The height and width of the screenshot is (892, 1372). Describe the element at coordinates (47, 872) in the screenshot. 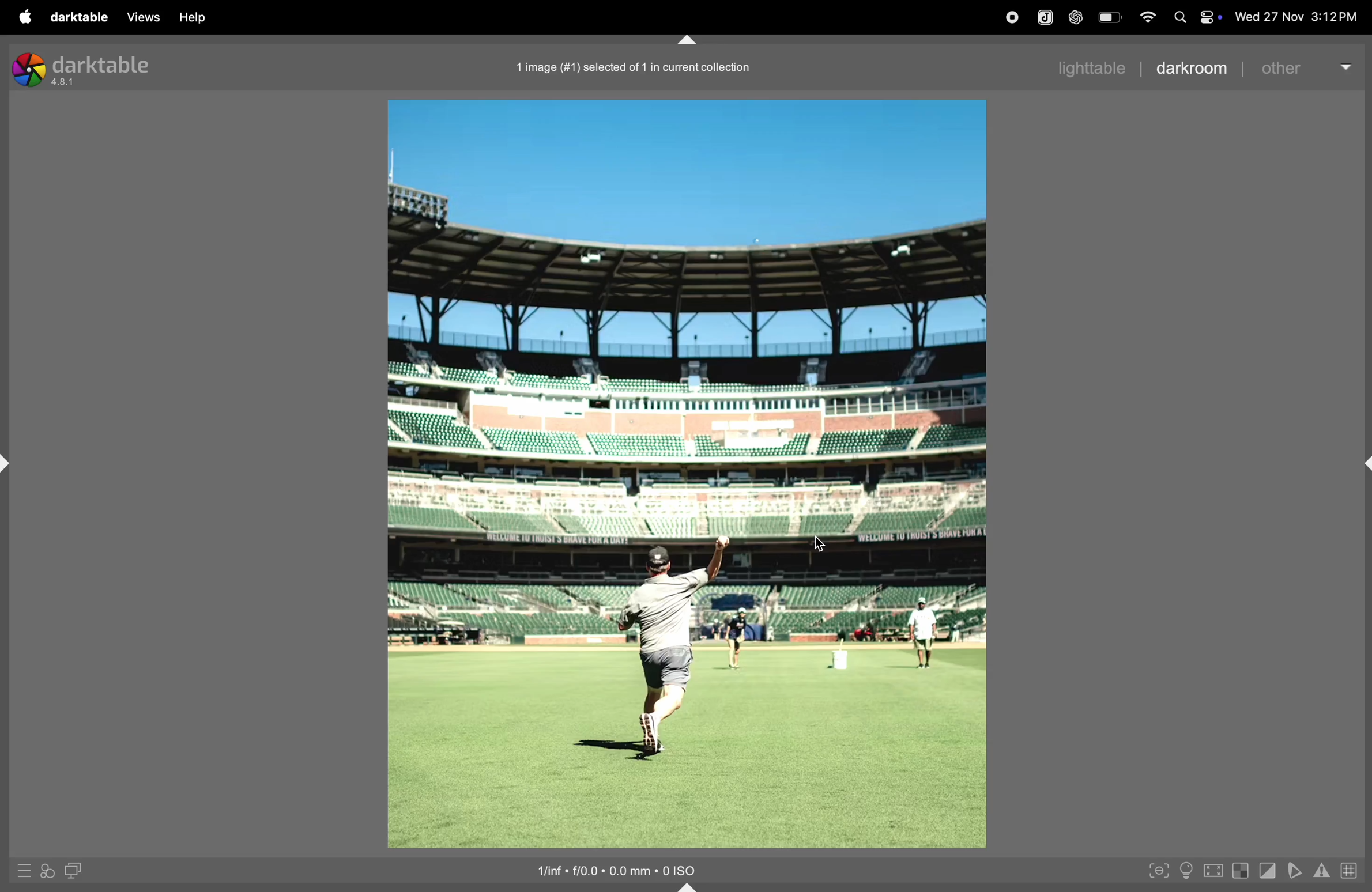

I see `quick to apply styles` at that location.